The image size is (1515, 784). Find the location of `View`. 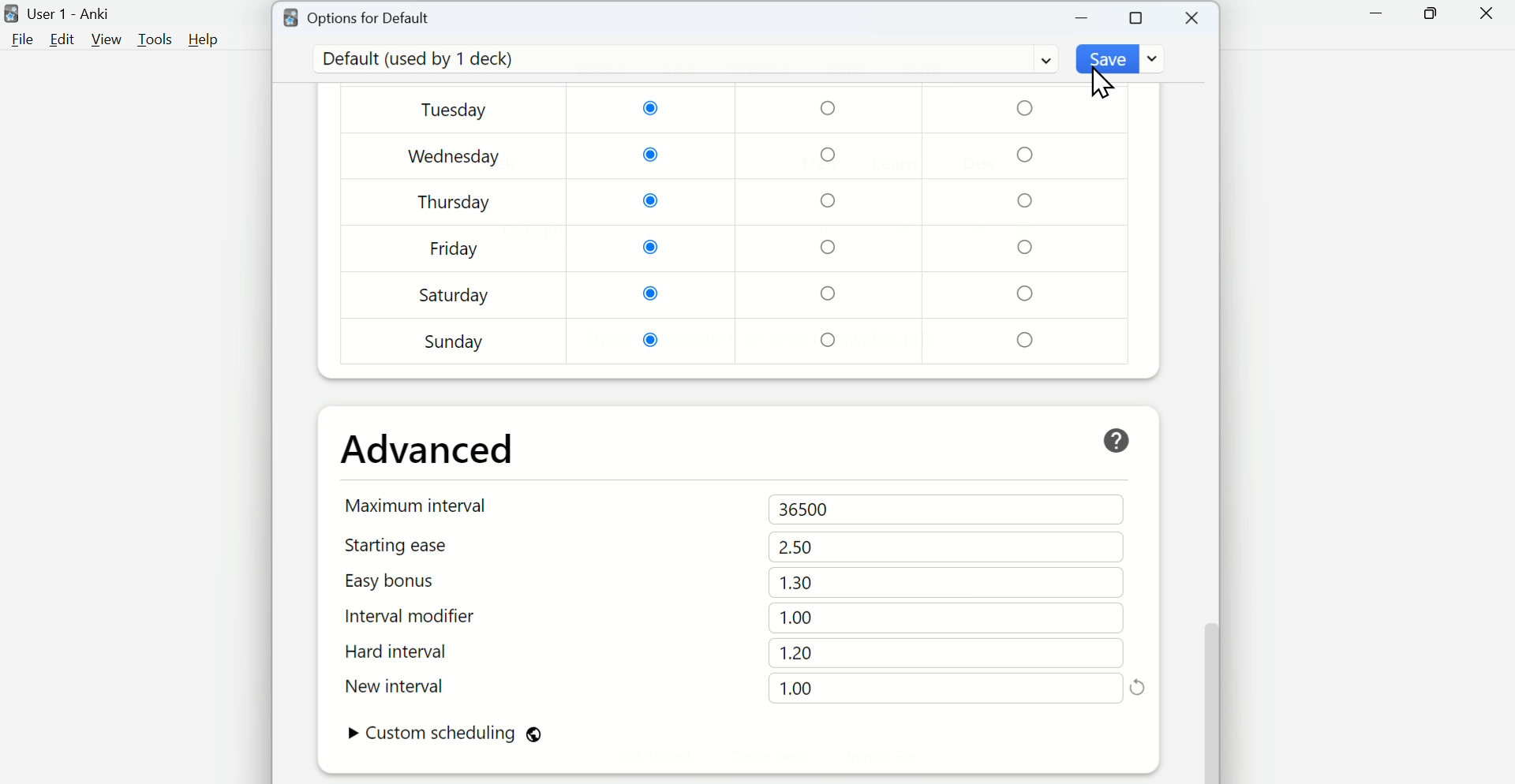

View is located at coordinates (107, 39).